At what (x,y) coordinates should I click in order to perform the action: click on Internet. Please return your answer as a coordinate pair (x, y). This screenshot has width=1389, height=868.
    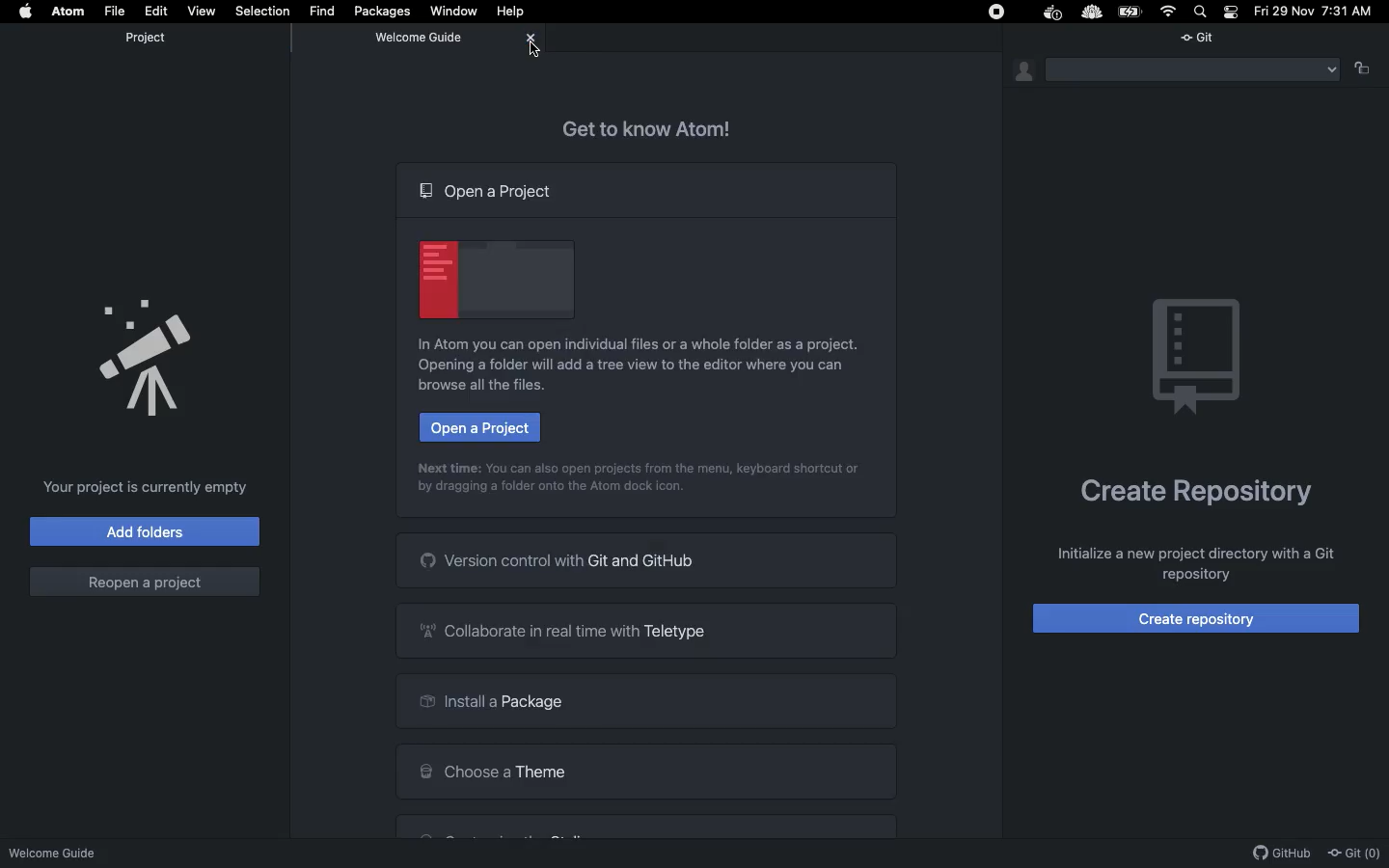
    Looking at the image, I should click on (1169, 11).